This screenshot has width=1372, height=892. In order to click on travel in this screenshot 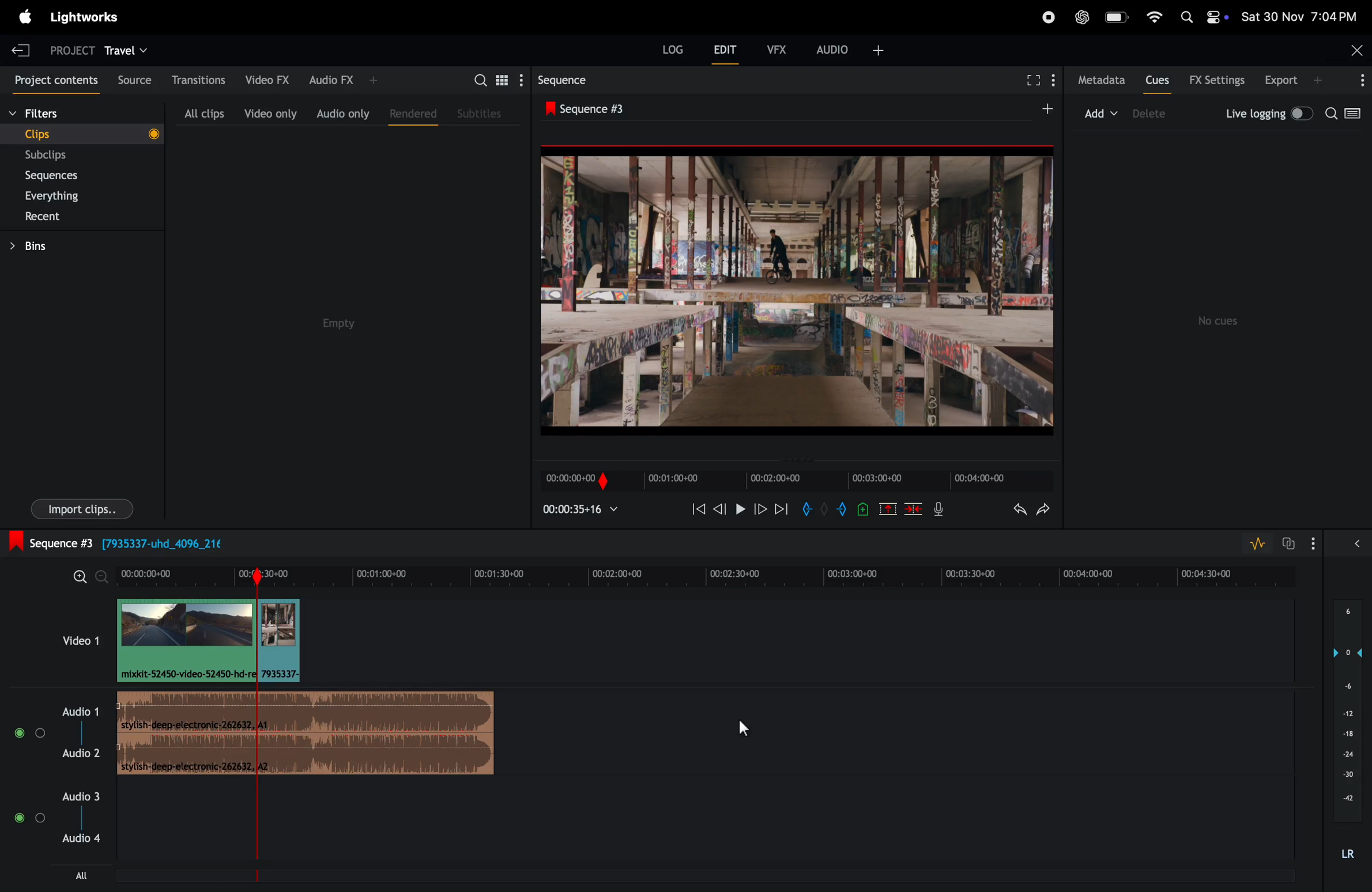, I will do `click(129, 49)`.